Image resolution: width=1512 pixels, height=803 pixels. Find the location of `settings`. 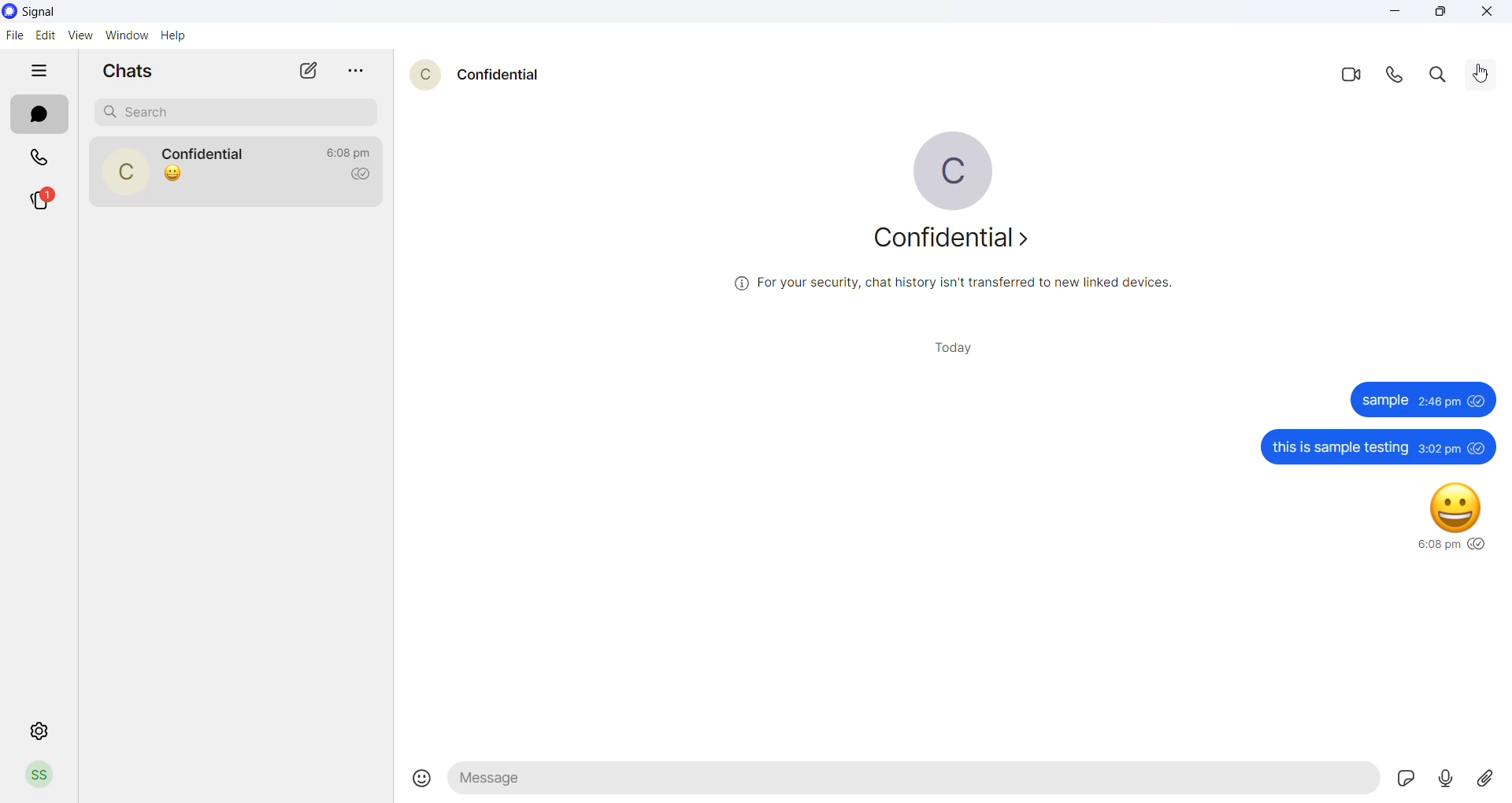

settings is located at coordinates (37, 730).